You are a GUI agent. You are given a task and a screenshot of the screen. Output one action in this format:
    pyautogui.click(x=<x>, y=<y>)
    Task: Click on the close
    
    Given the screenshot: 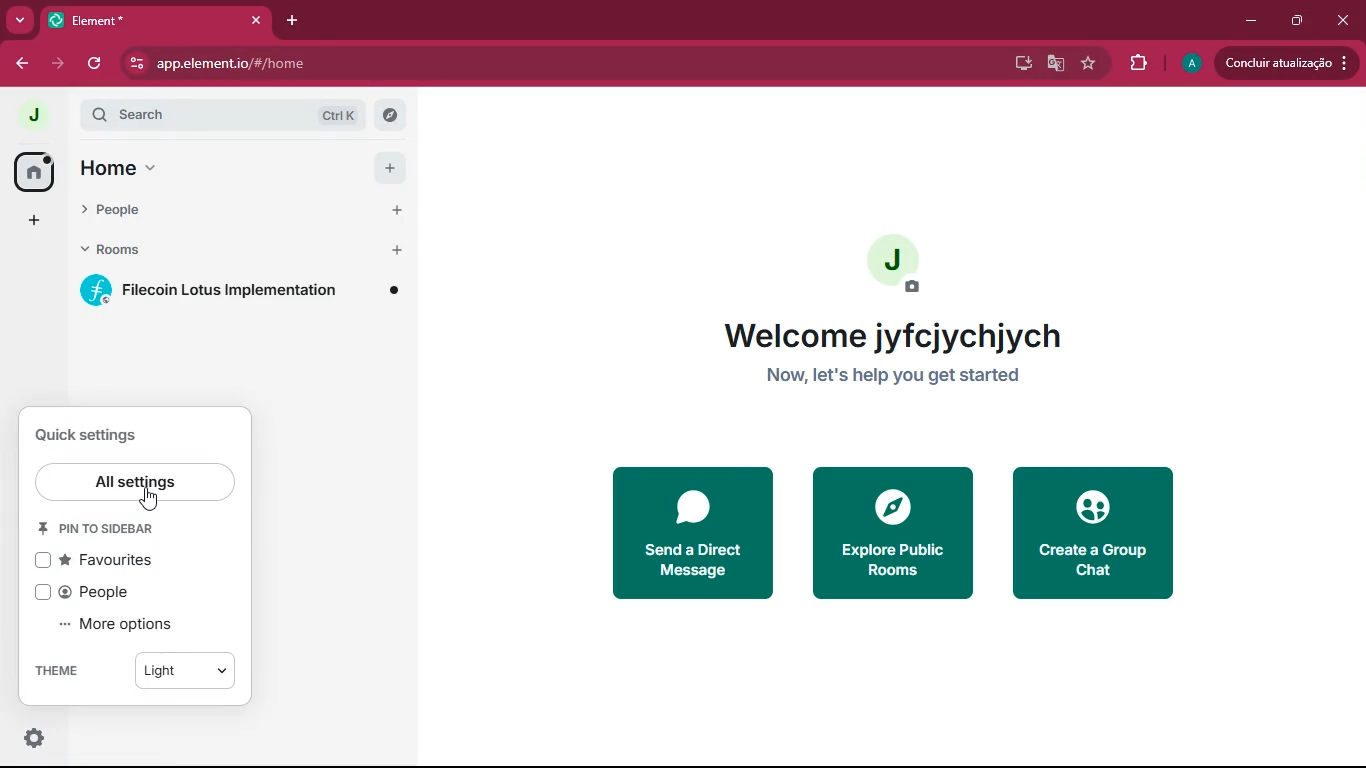 What is the action you would take?
    pyautogui.click(x=1343, y=24)
    